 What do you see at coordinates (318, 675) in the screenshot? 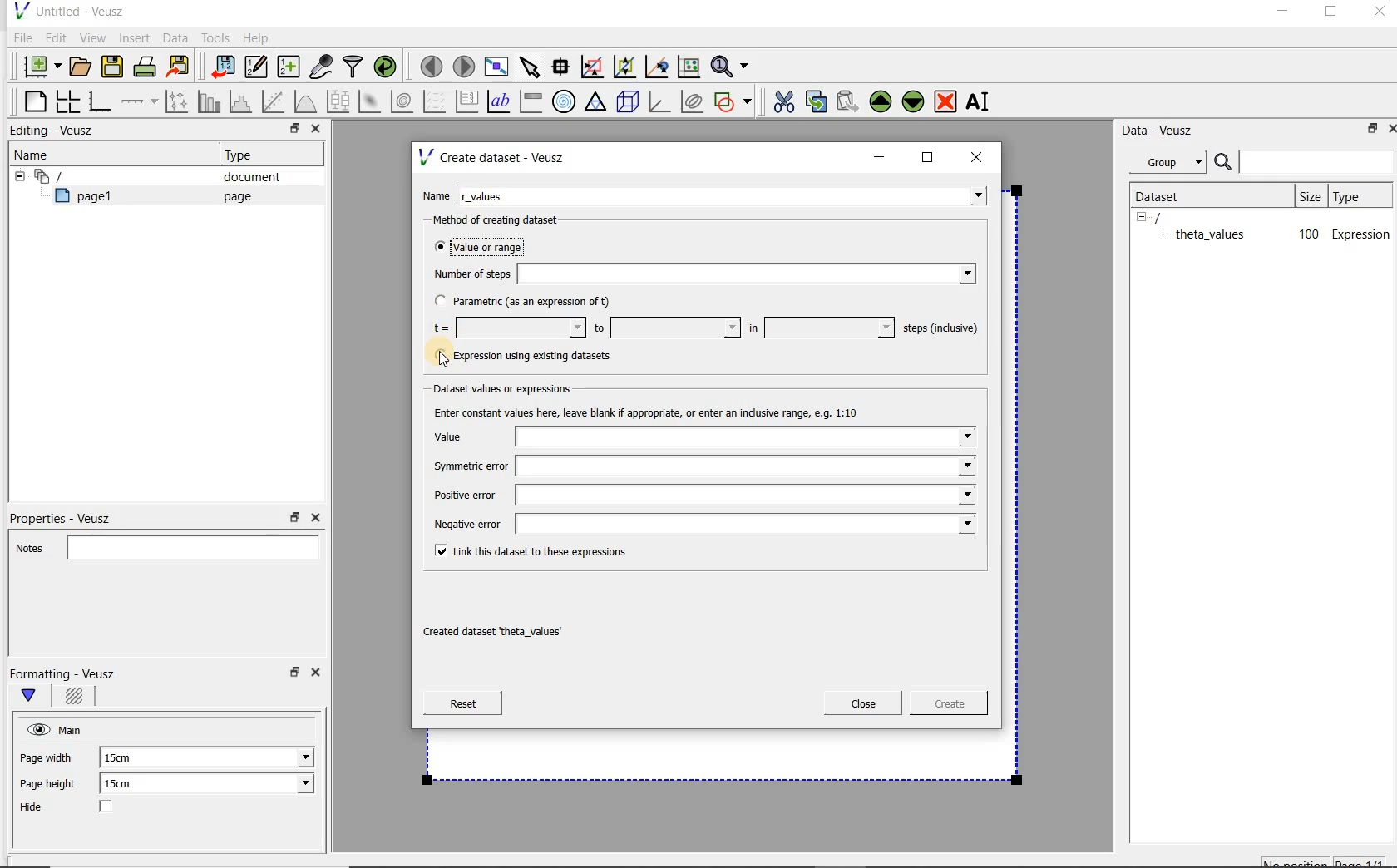
I see `Close` at bounding box center [318, 675].